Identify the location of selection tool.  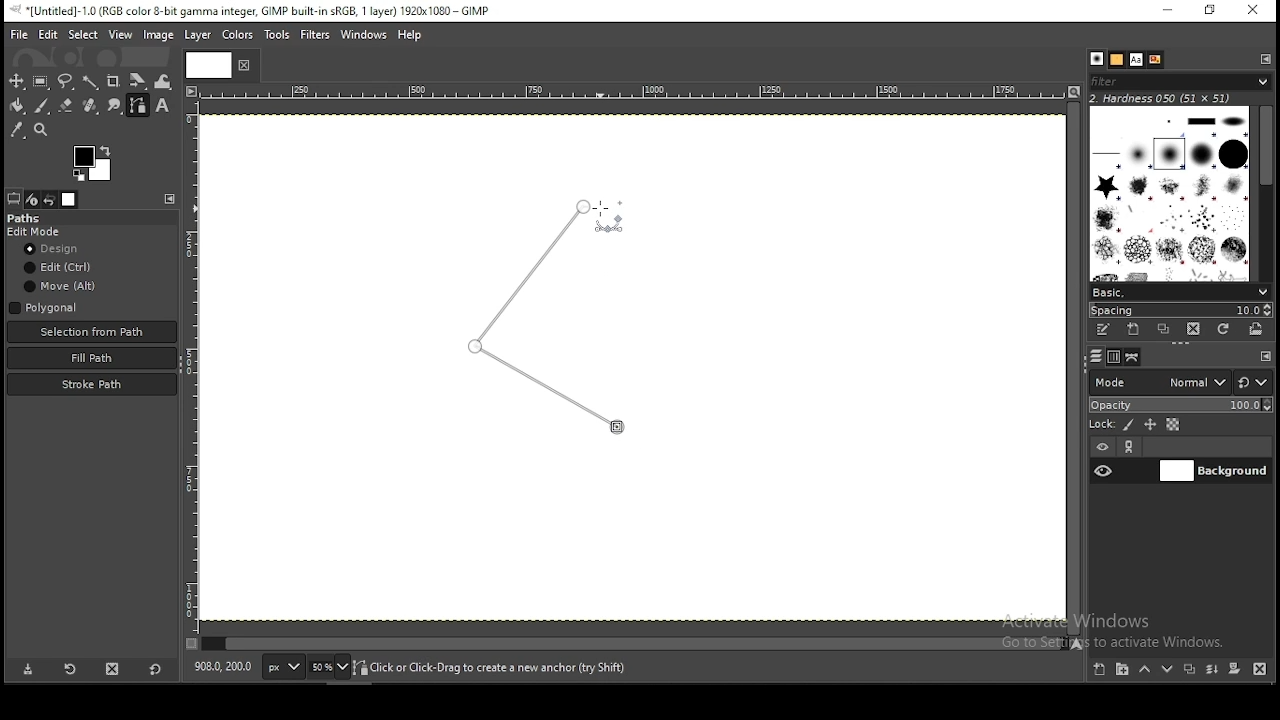
(14, 81).